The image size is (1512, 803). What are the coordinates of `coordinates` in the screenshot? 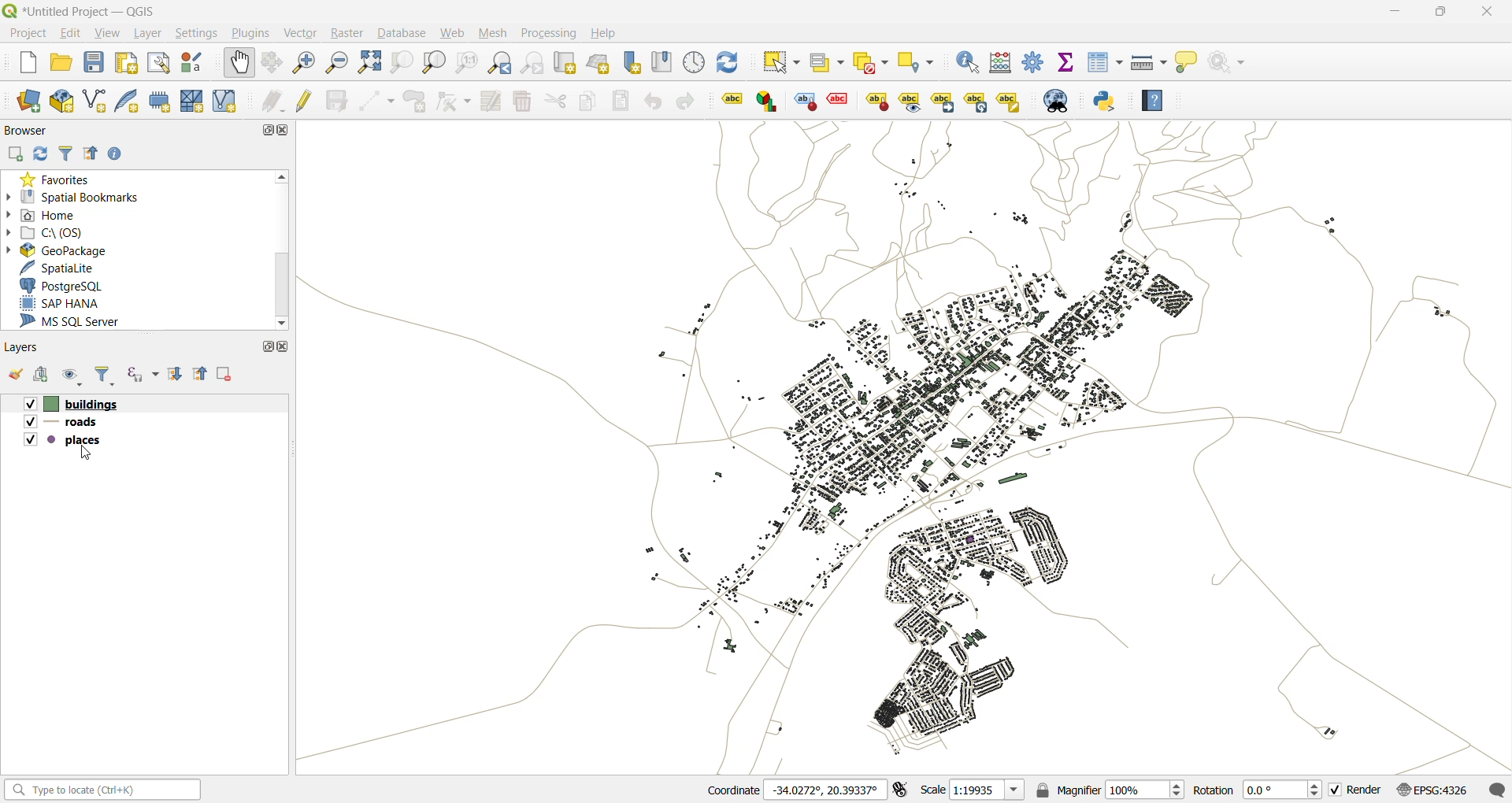 It's located at (790, 790).